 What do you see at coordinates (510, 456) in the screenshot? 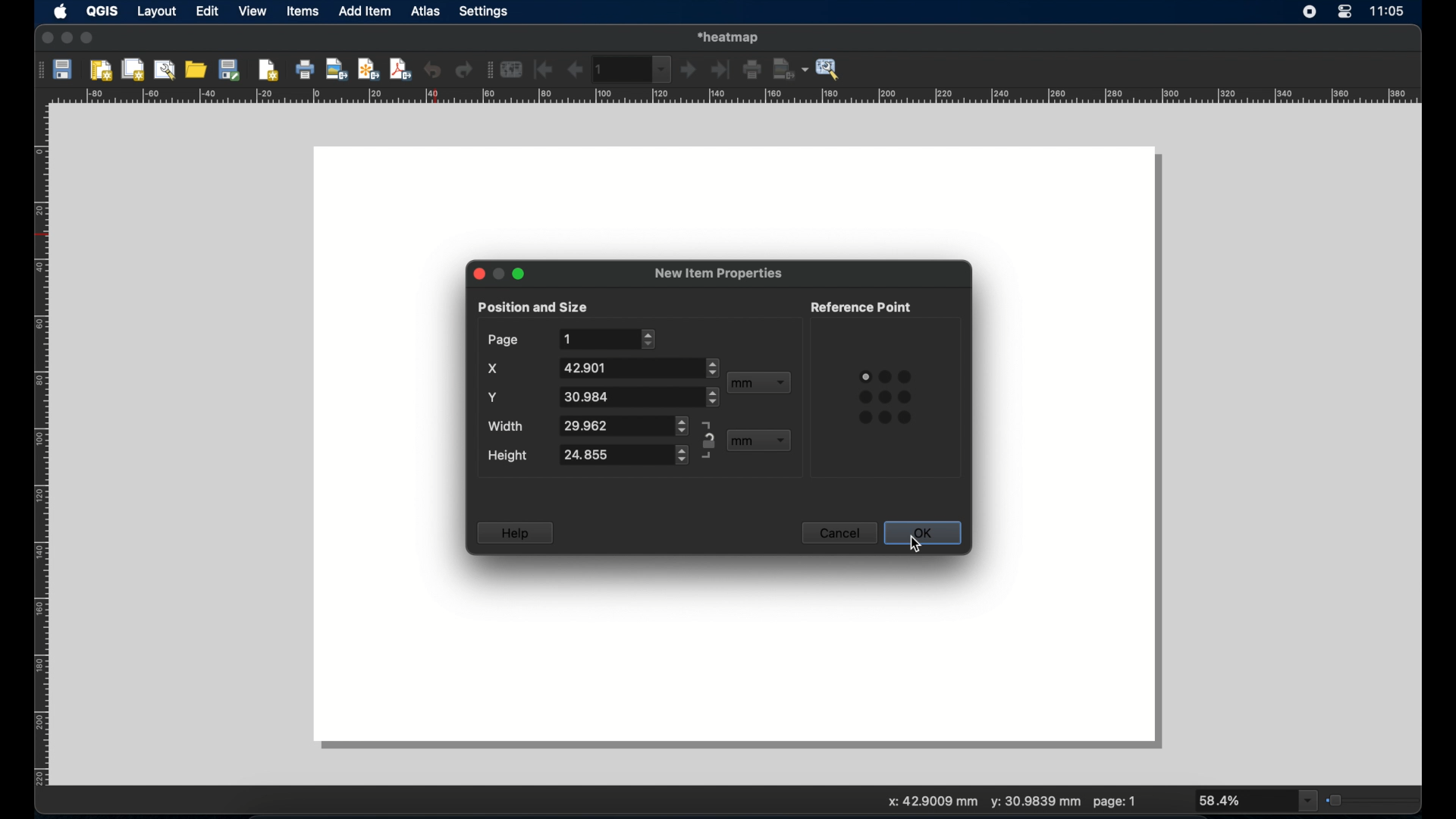
I see `height` at bounding box center [510, 456].